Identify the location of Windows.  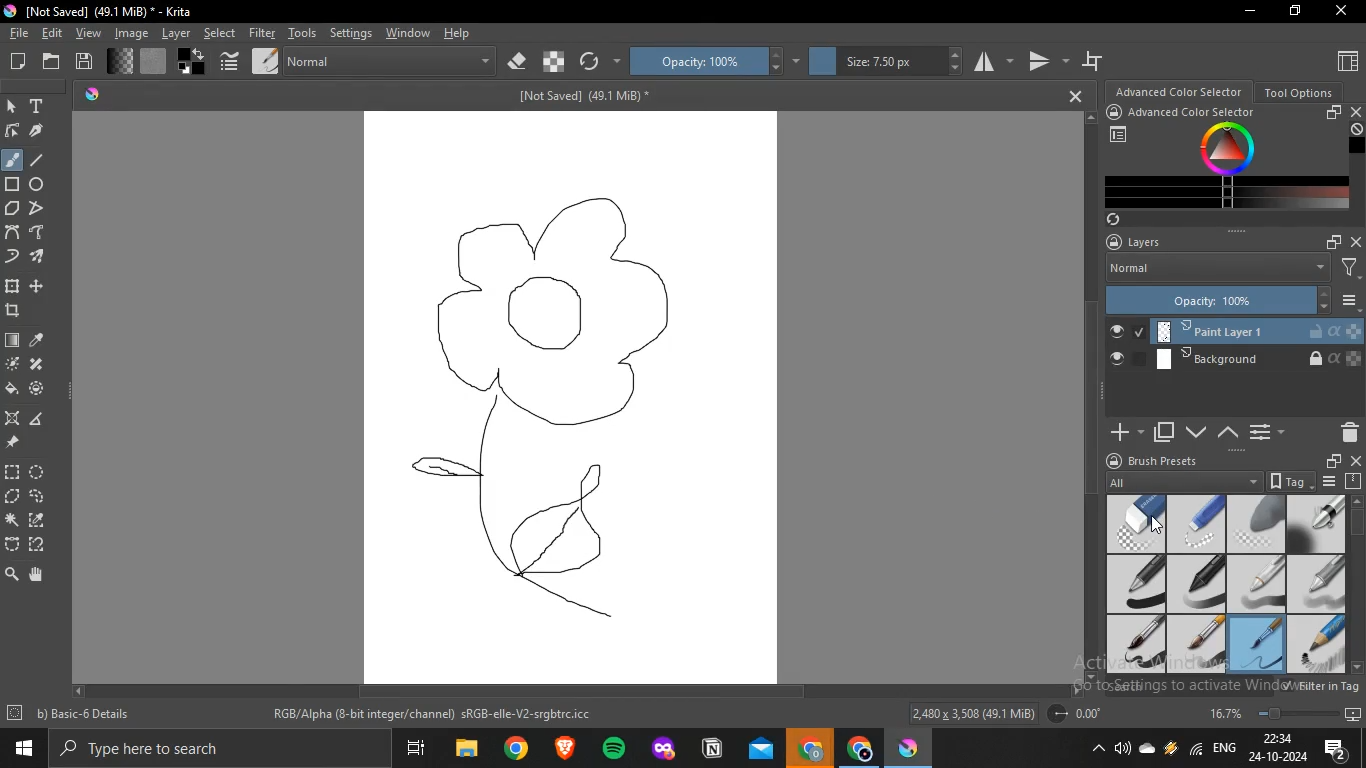
(20, 748).